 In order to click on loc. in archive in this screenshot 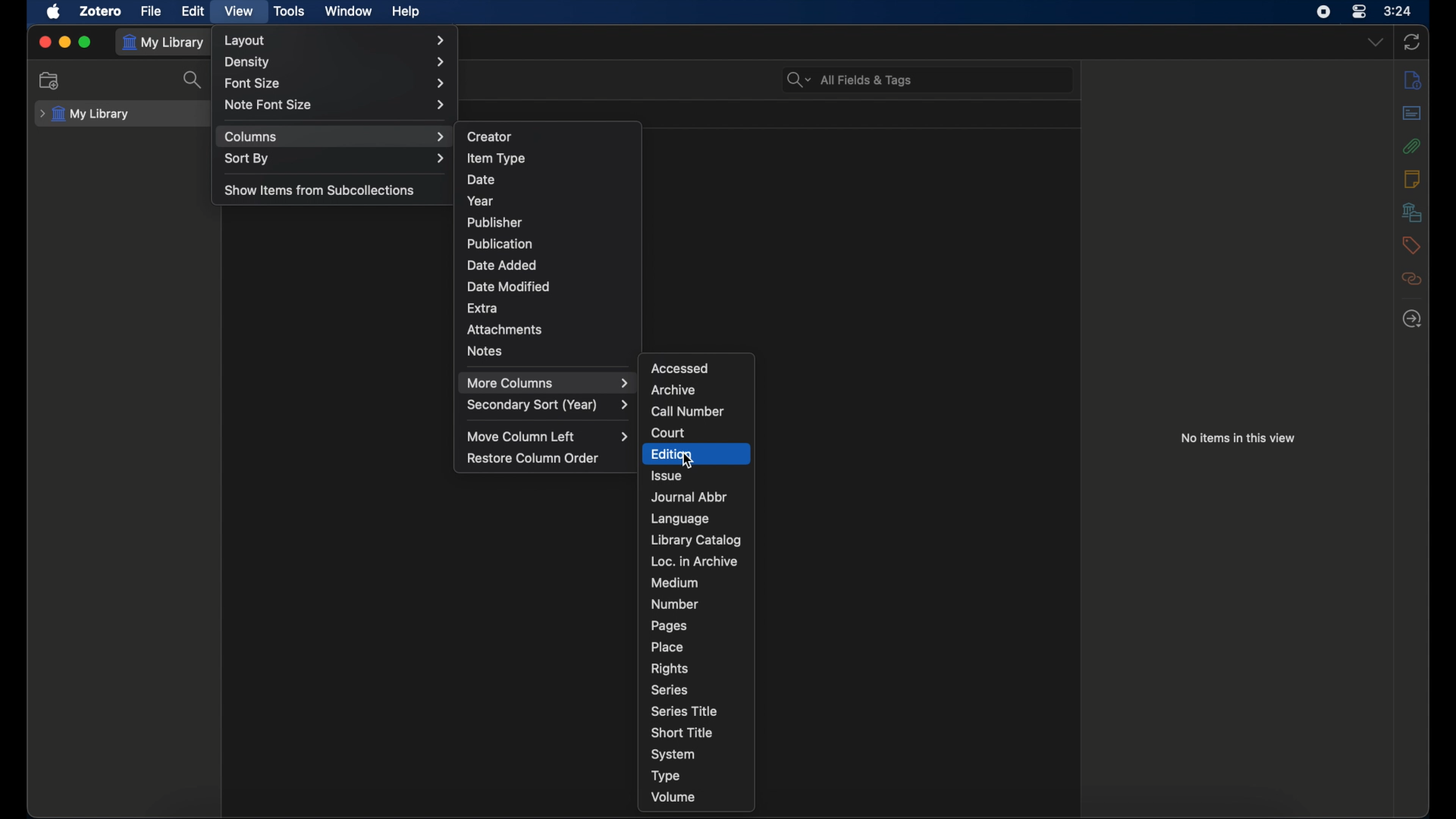, I will do `click(695, 560)`.